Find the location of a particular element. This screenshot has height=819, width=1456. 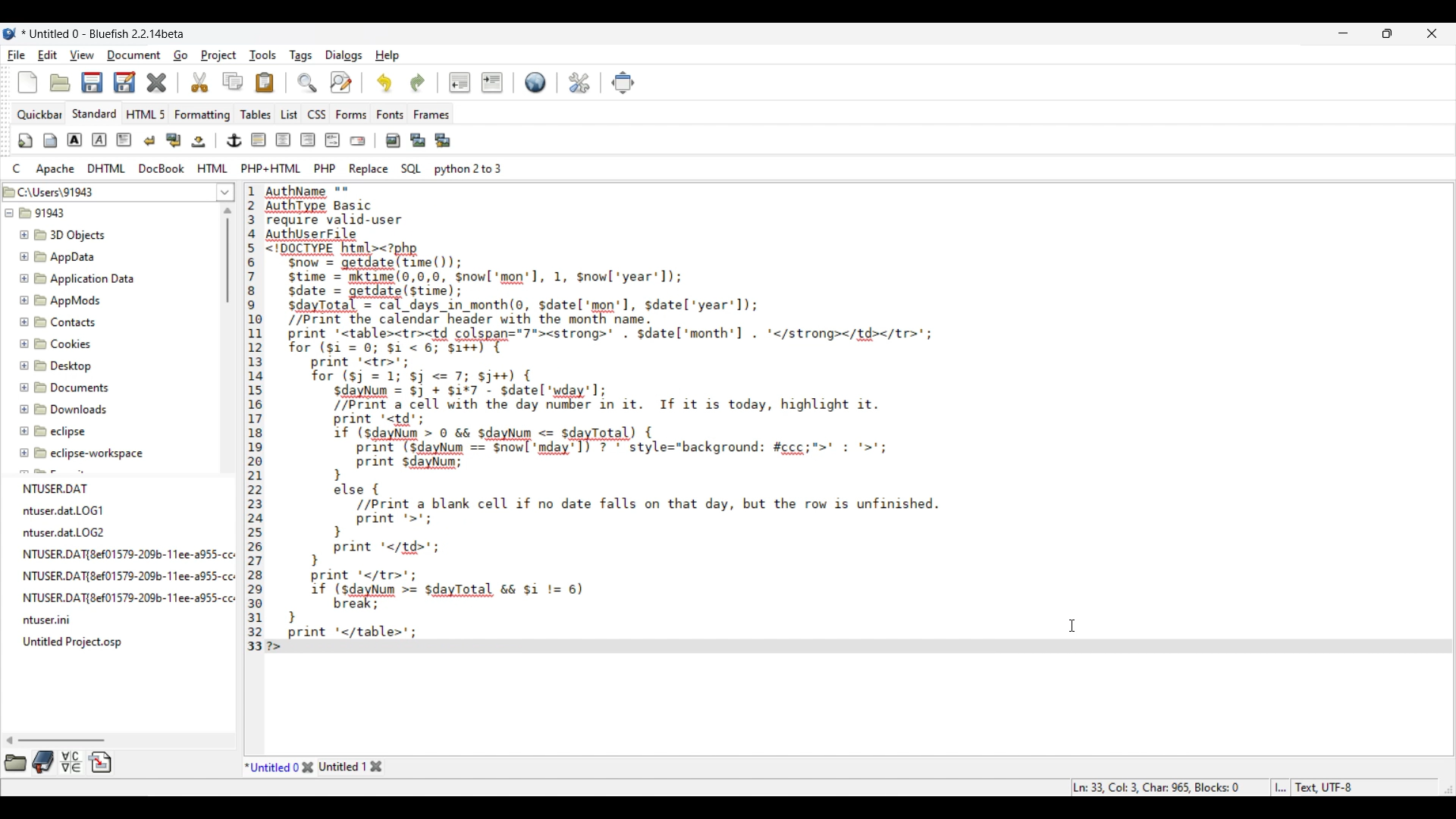

Frames is located at coordinates (432, 115).